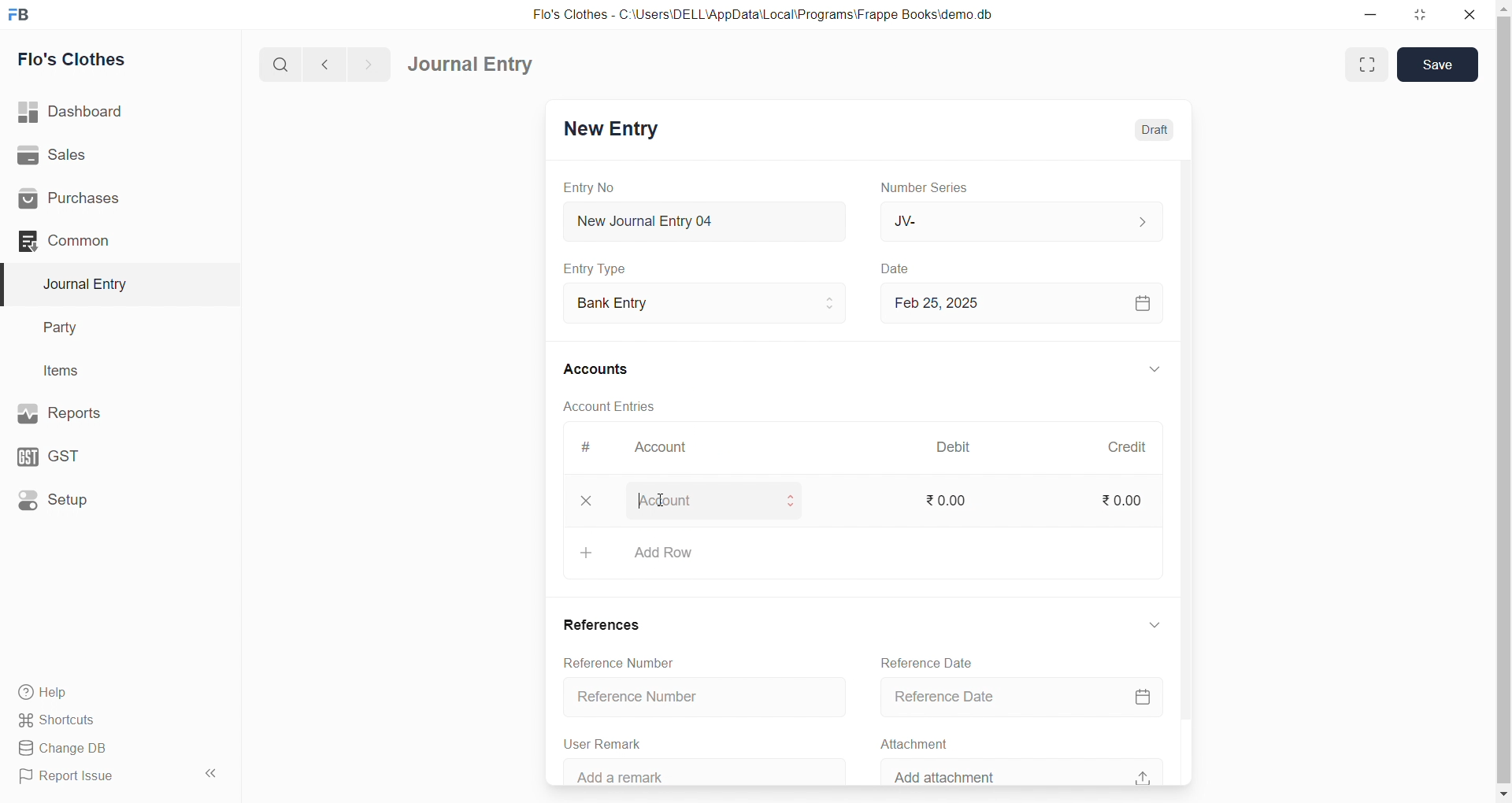  Describe the element at coordinates (595, 449) in the screenshot. I see `#` at that location.